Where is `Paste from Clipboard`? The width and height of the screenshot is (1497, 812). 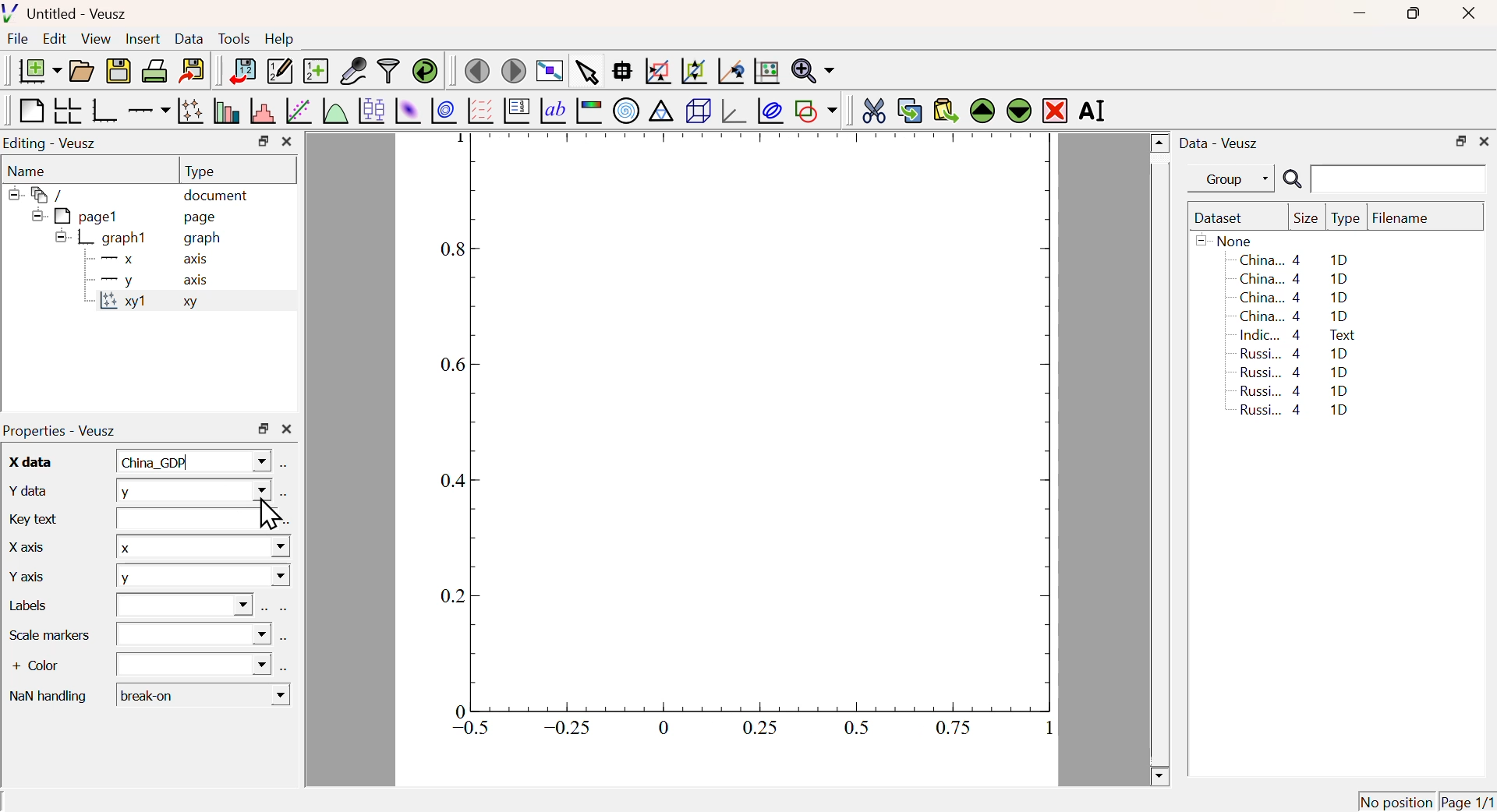
Paste from Clipboard is located at coordinates (946, 110).